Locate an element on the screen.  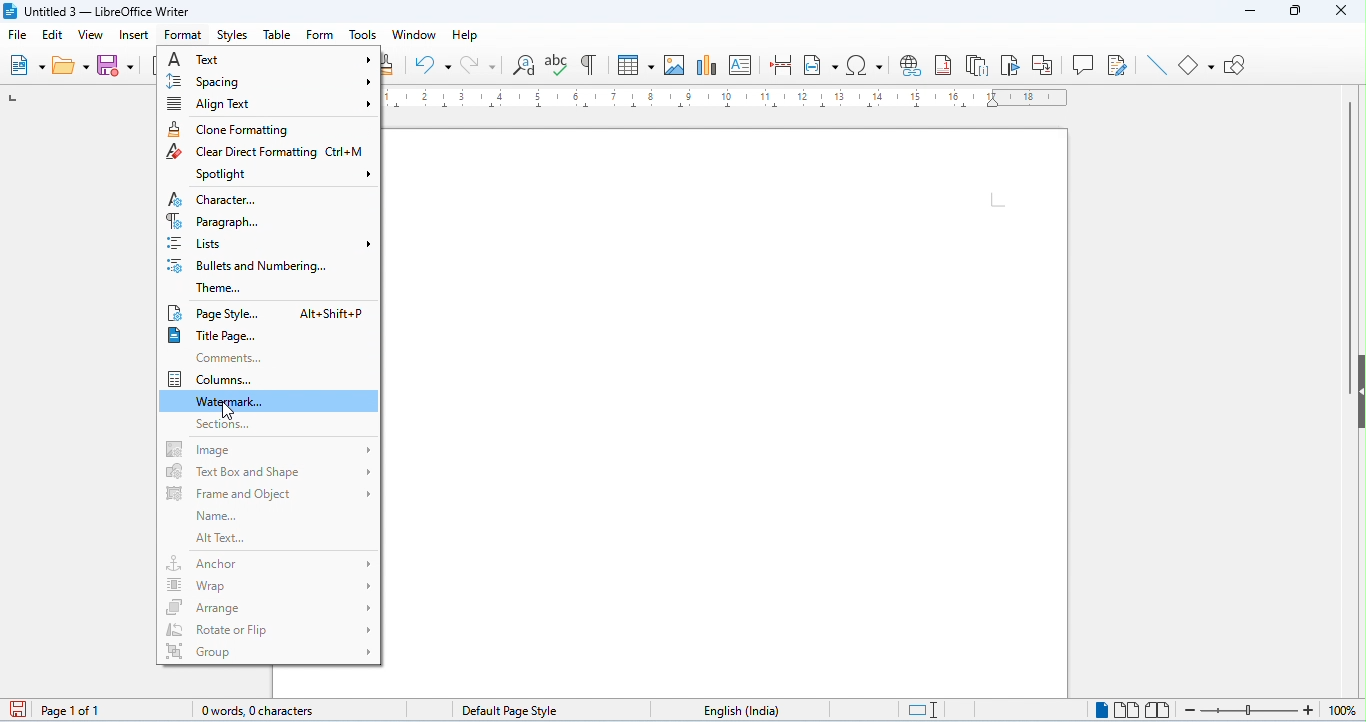
watermark is located at coordinates (268, 402).